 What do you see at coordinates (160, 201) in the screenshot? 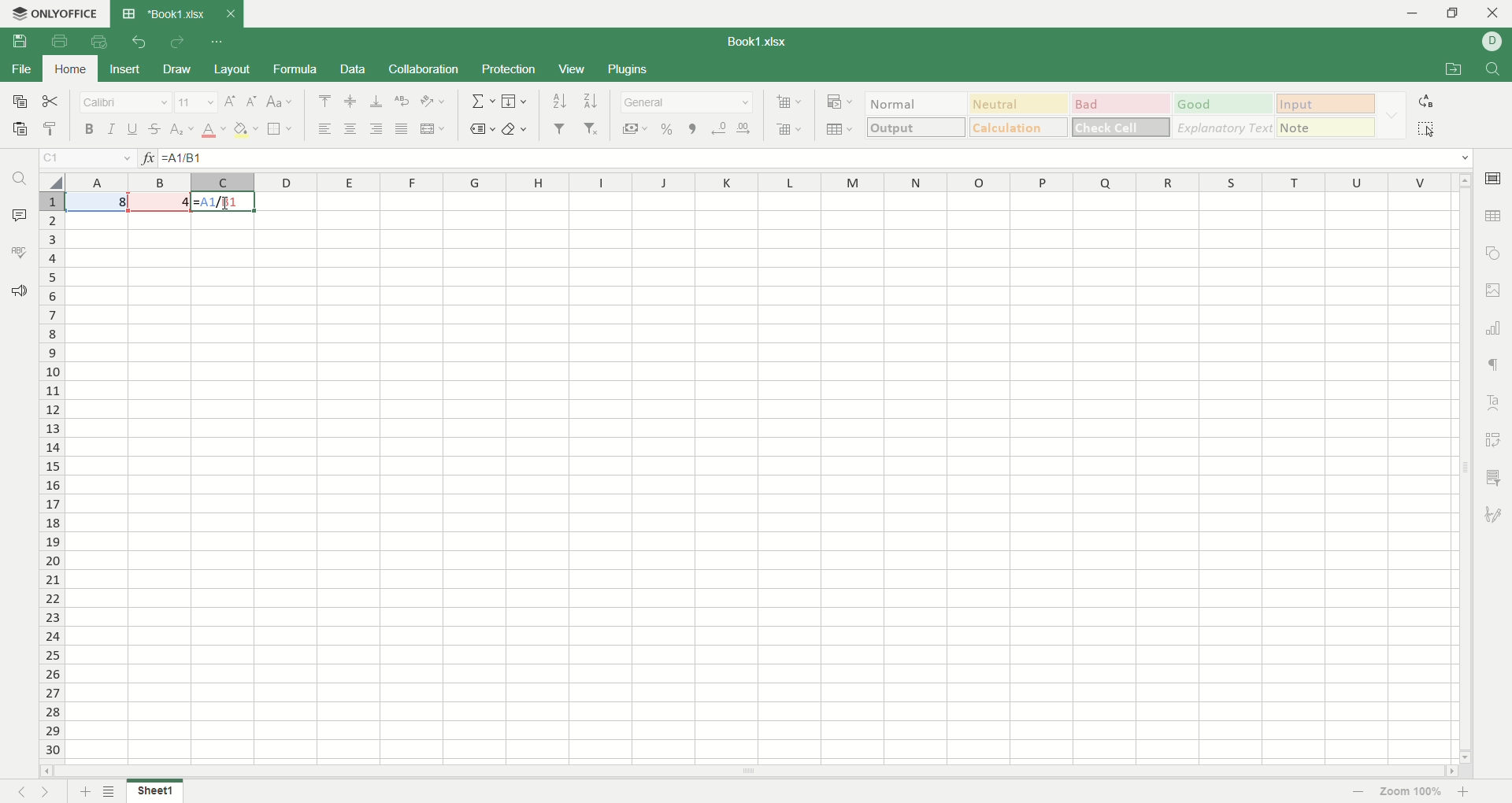
I see `4` at bounding box center [160, 201].